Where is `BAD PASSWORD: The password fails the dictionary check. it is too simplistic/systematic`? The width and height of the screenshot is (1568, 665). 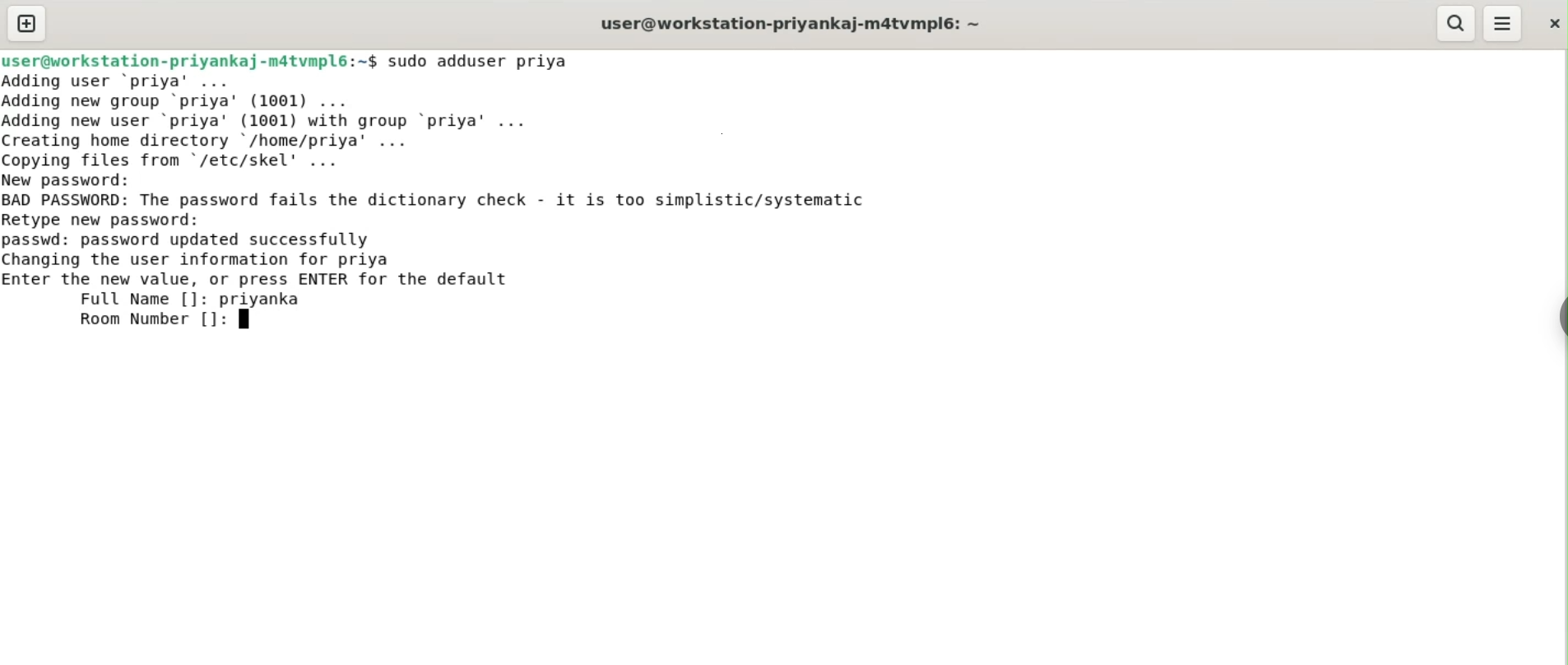
BAD PASSWORD: The password fails the dictionary check. it is too simplistic/systematic is located at coordinates (464, 201).